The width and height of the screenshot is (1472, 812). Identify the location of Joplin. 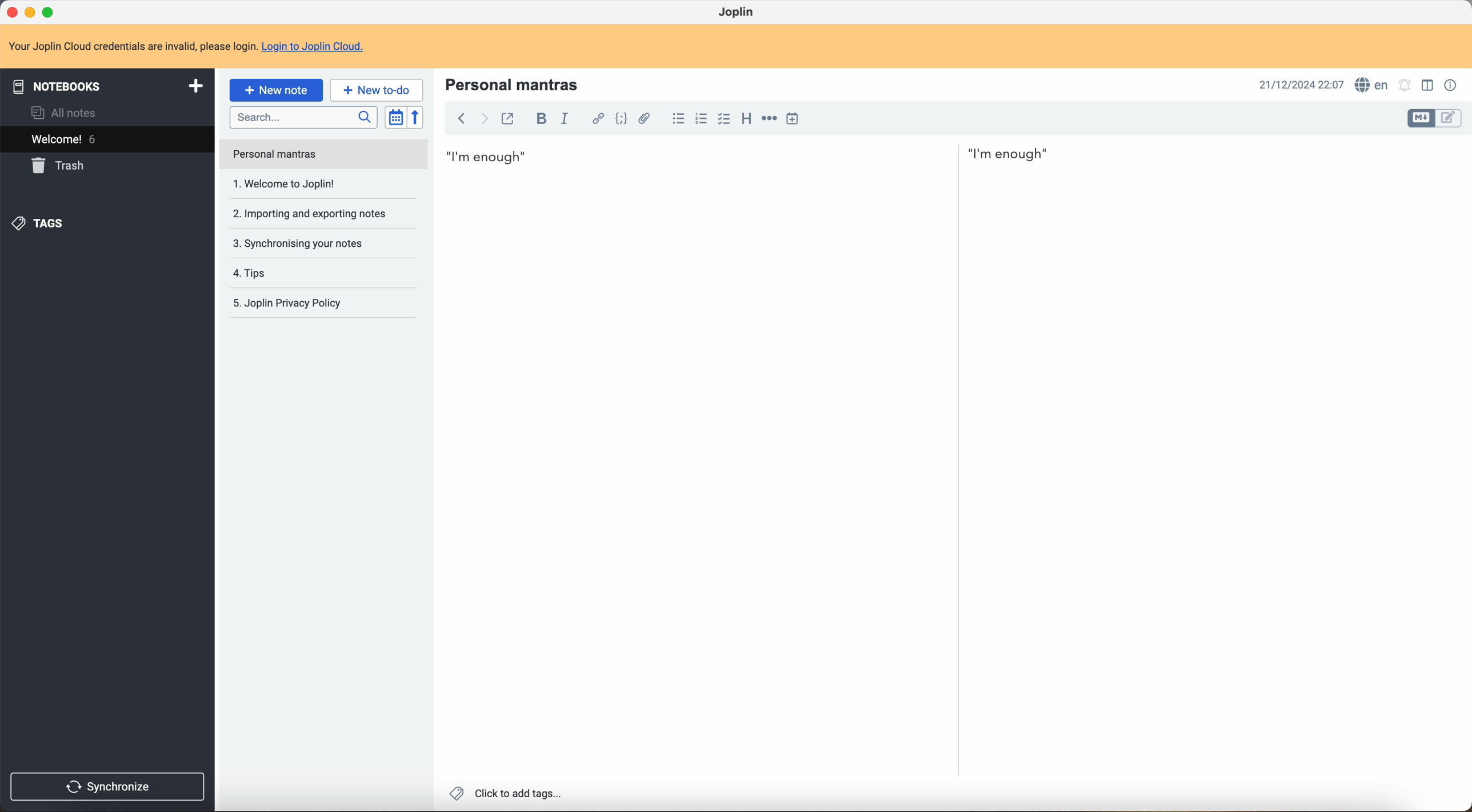
(738, 11).